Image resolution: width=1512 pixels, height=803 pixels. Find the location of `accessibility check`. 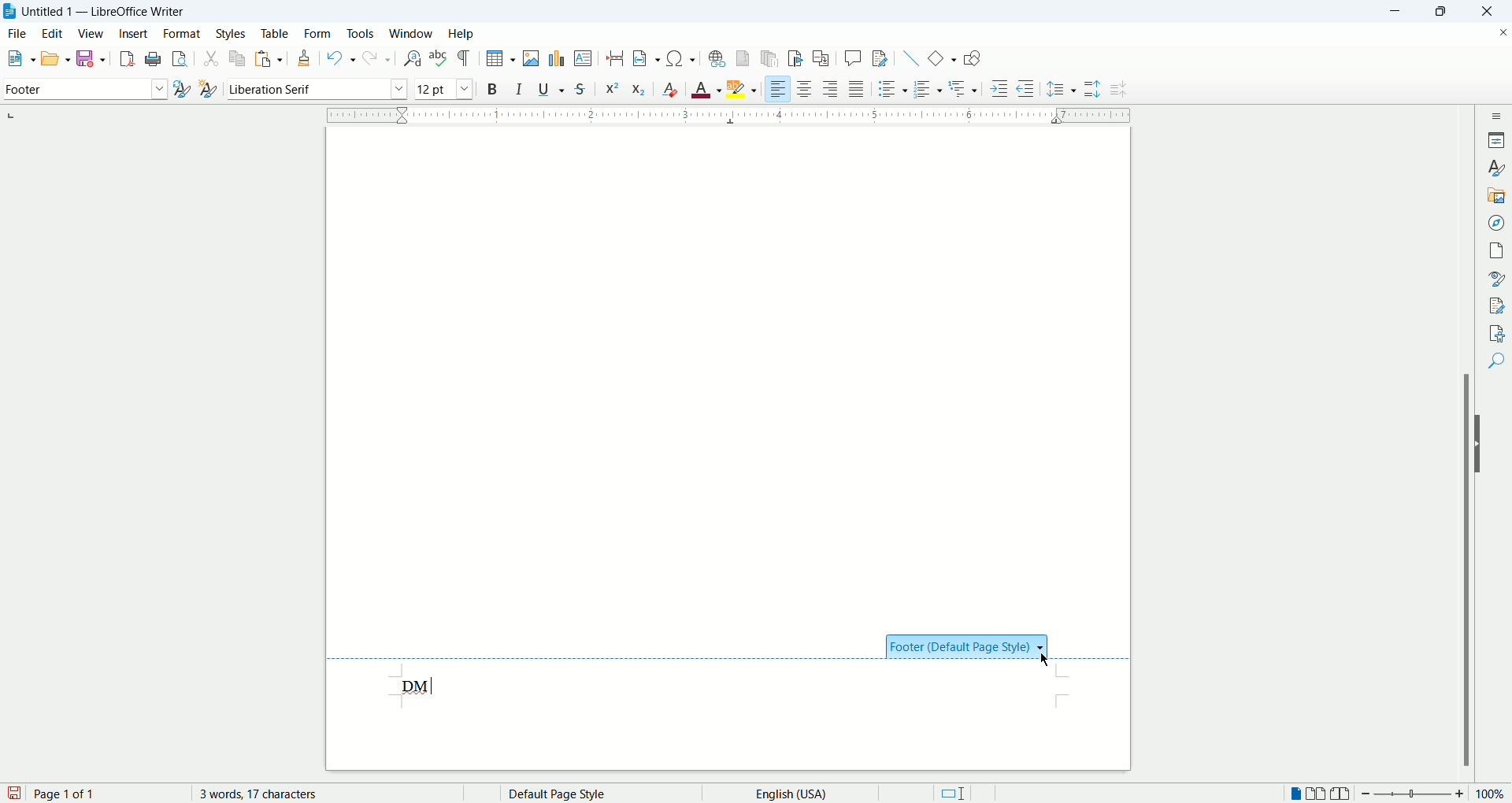

accessibility check is located at coordinates (1497, 332).